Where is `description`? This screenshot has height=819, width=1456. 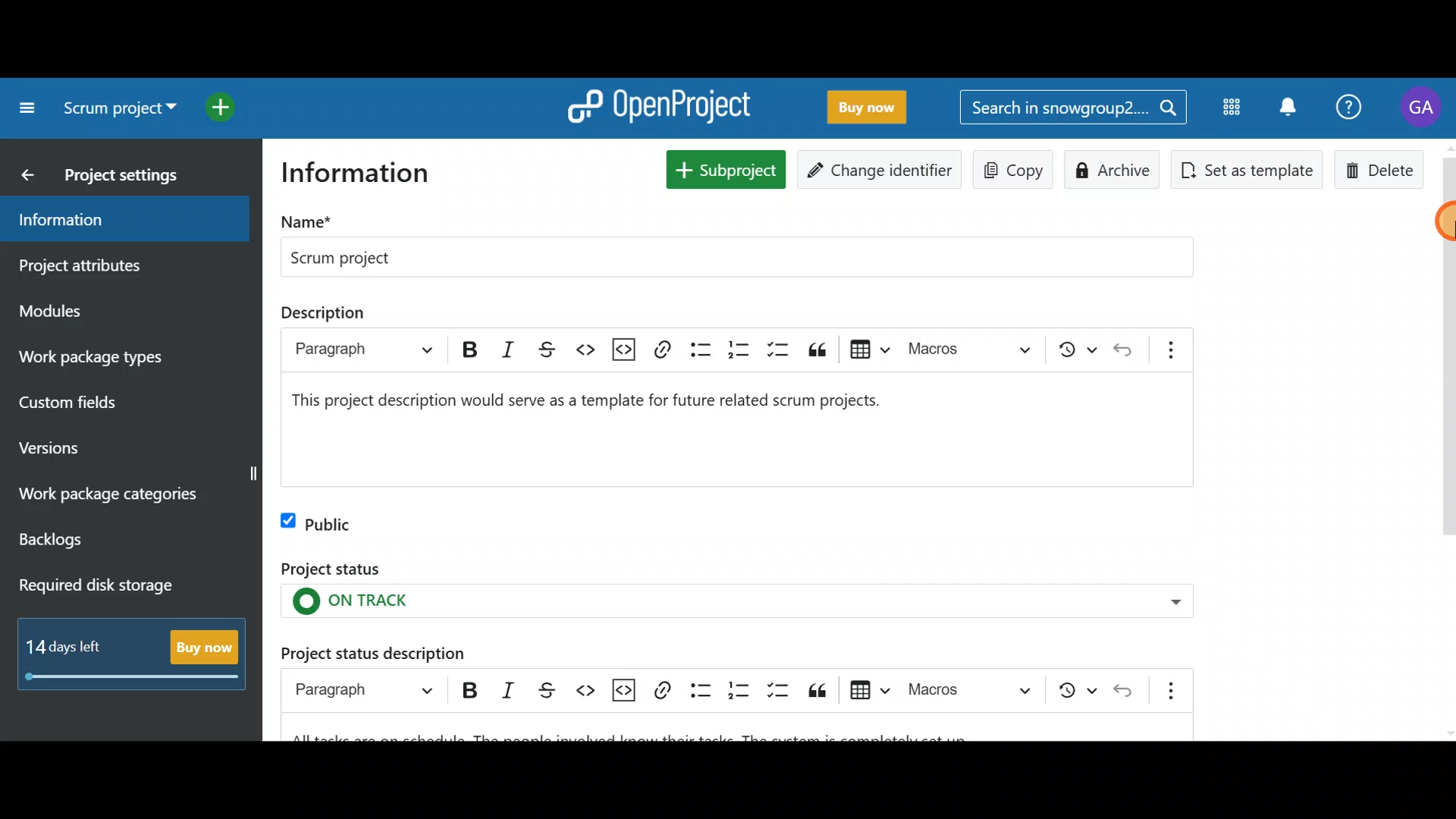 description is located at coordinates (323, 313).